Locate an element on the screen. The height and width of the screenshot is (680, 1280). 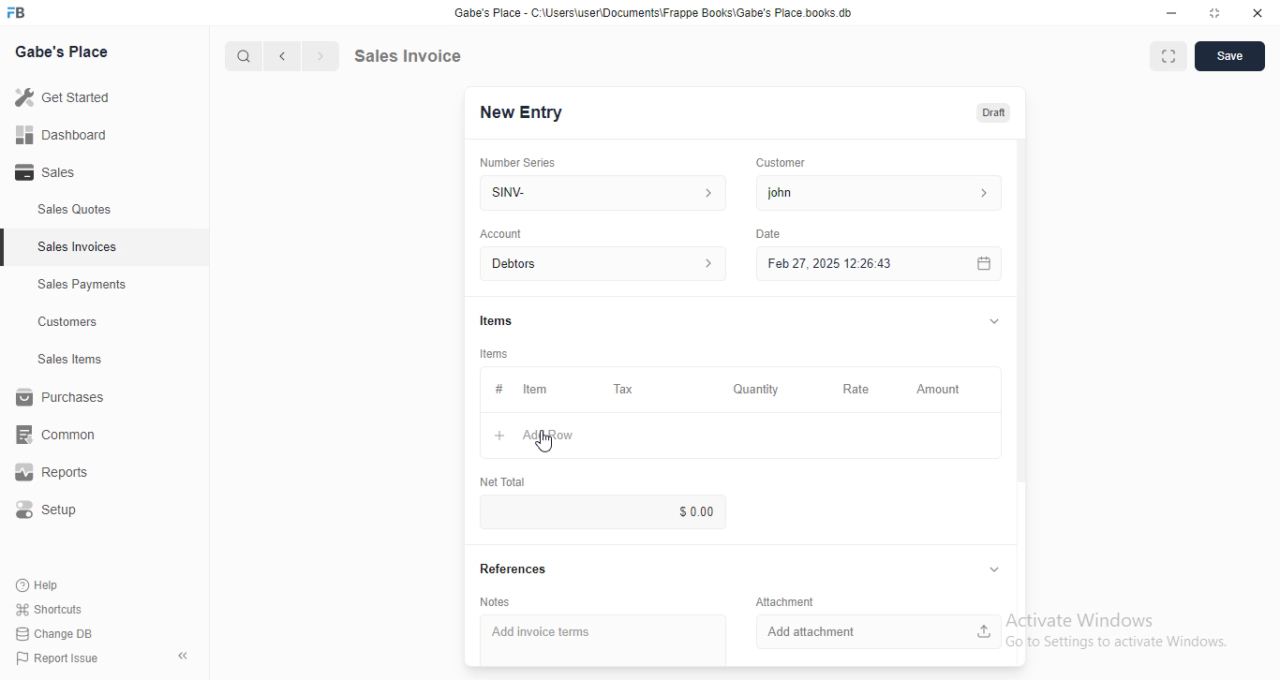
Expand is located at coordinates (991, 570).